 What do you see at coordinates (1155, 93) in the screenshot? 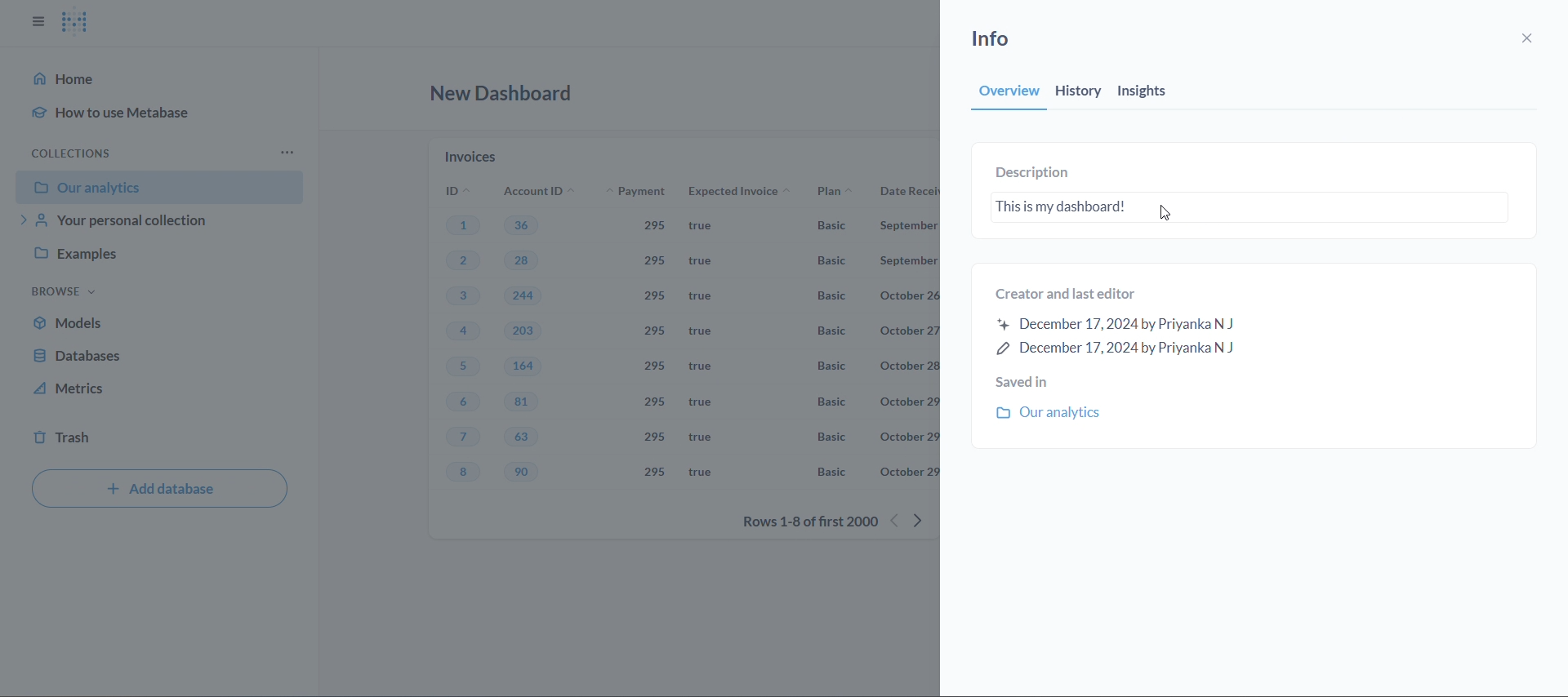
I see `insights` at bounding box center [1155, 93].